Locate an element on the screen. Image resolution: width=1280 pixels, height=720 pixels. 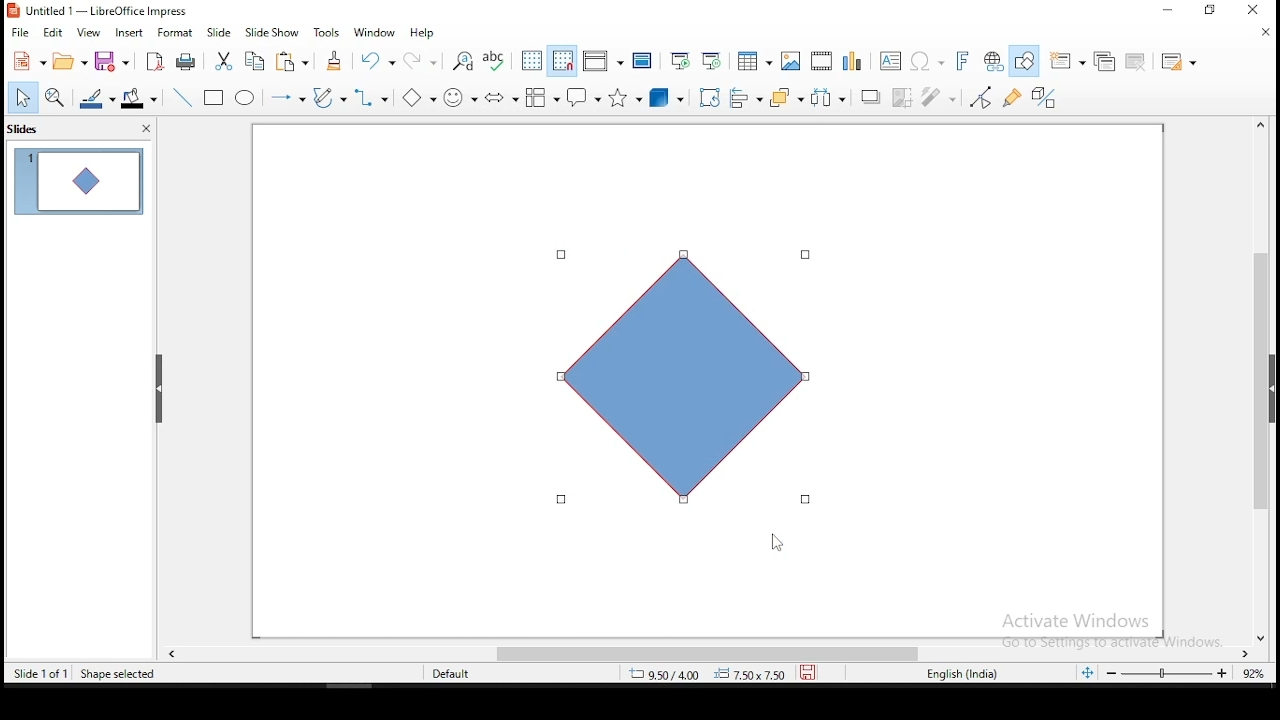
block arrows is located at coordinates (502, 99).